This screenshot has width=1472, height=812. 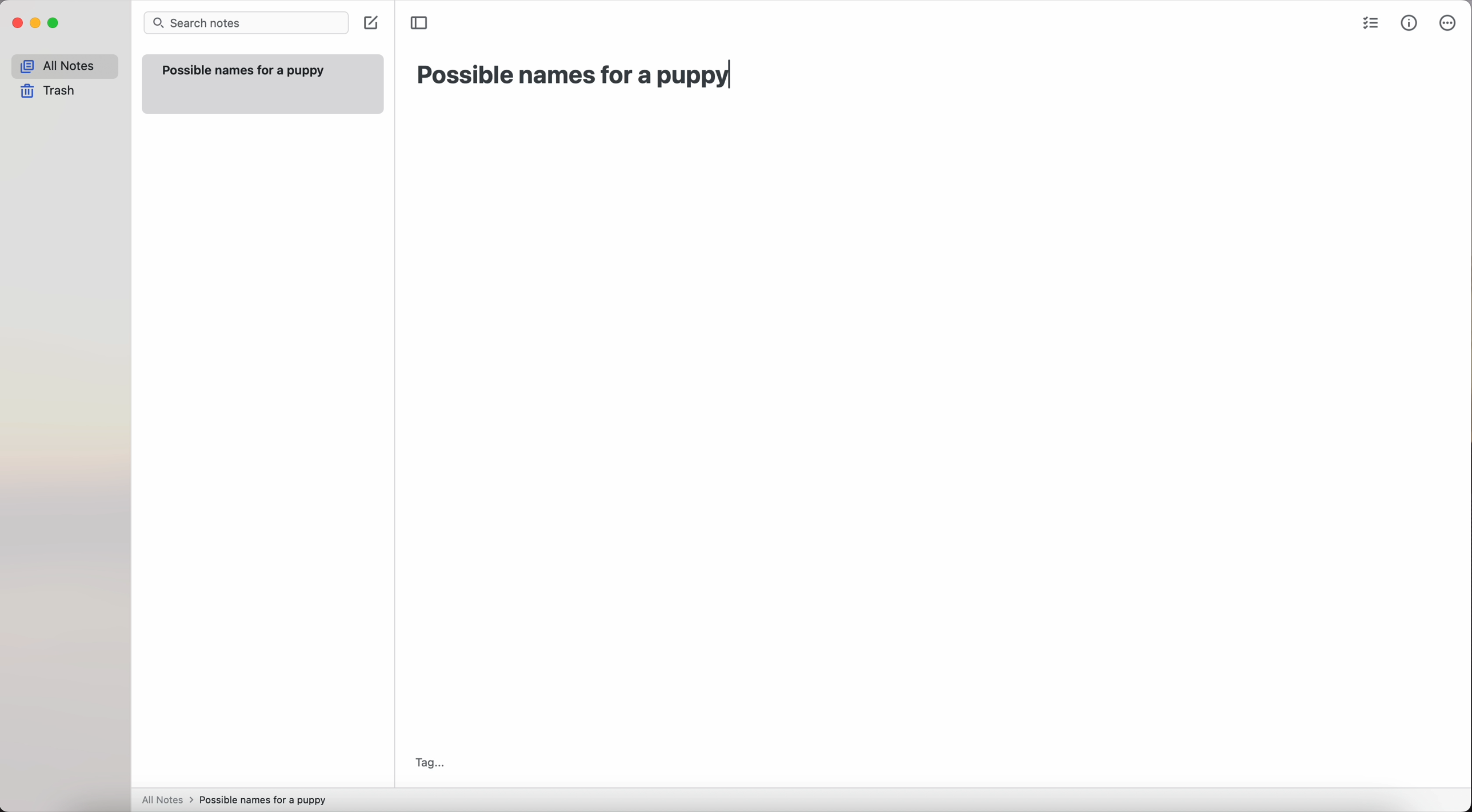 What do you see at coordinates (421, 22) in the screenshot?
I see `toggle sidebar` at bounding box center [421, 22].